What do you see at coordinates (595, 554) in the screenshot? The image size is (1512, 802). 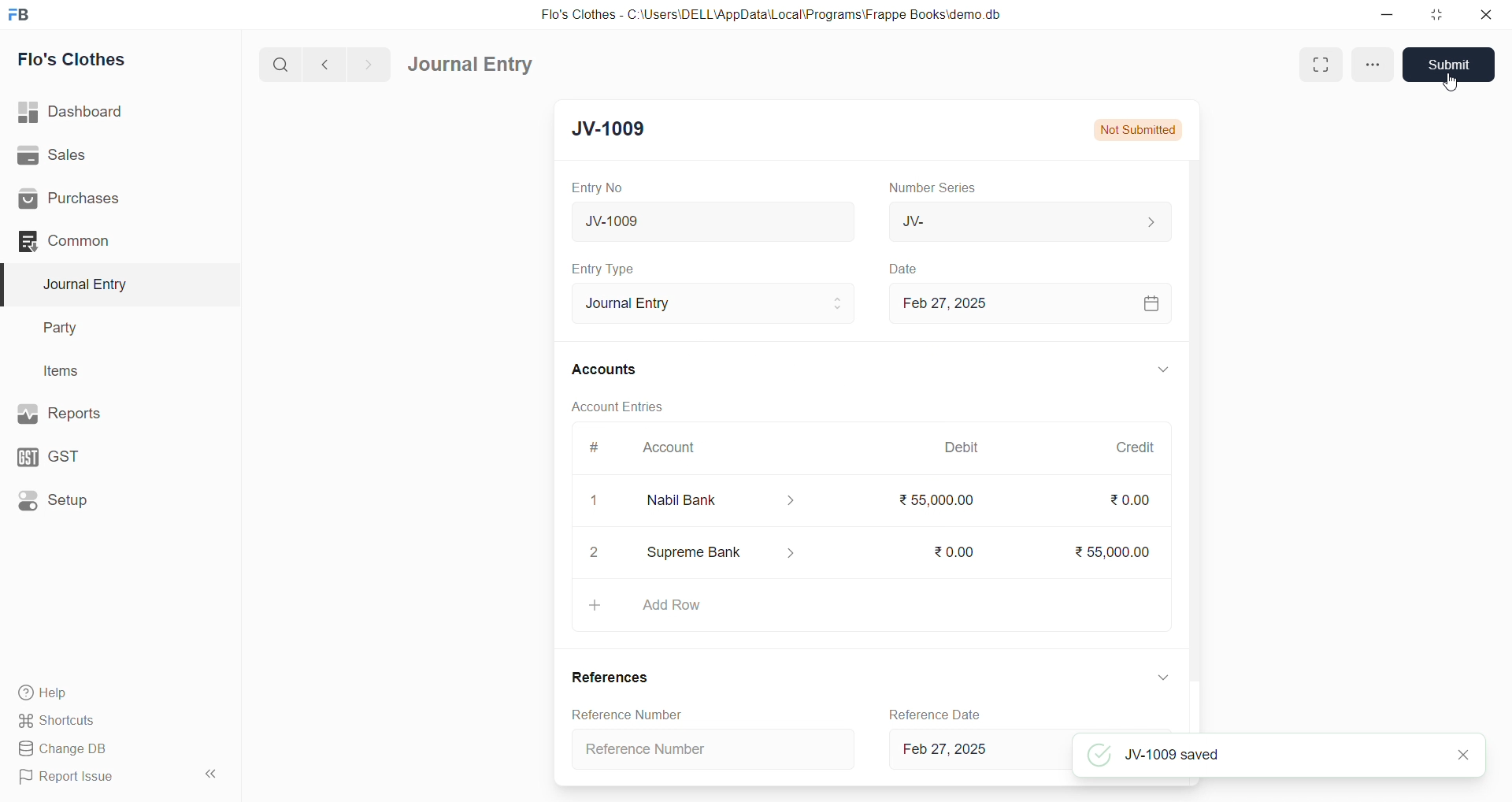 I see `2` at bounding box center [595, 554].